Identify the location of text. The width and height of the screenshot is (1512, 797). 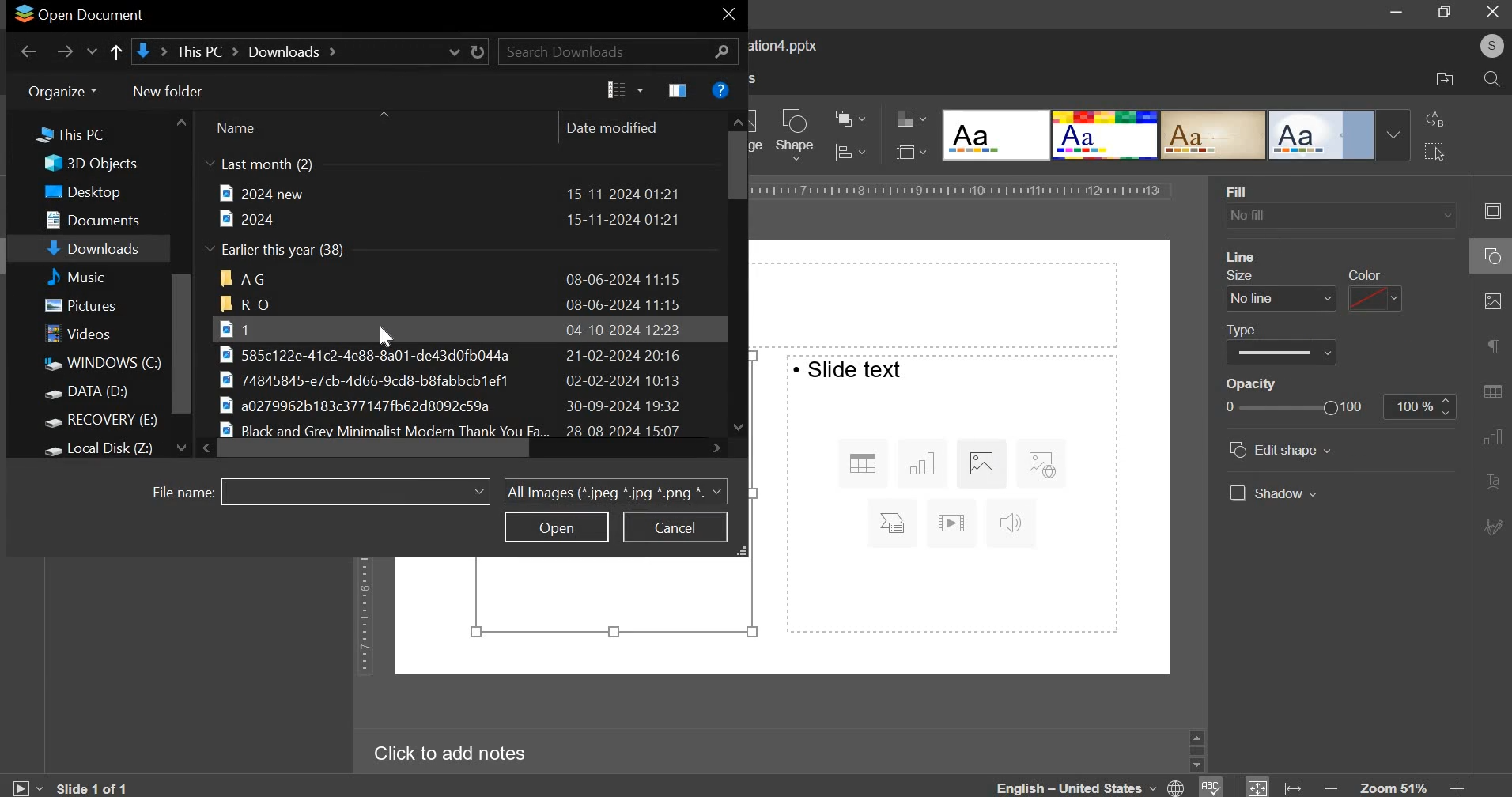
(849, 369).